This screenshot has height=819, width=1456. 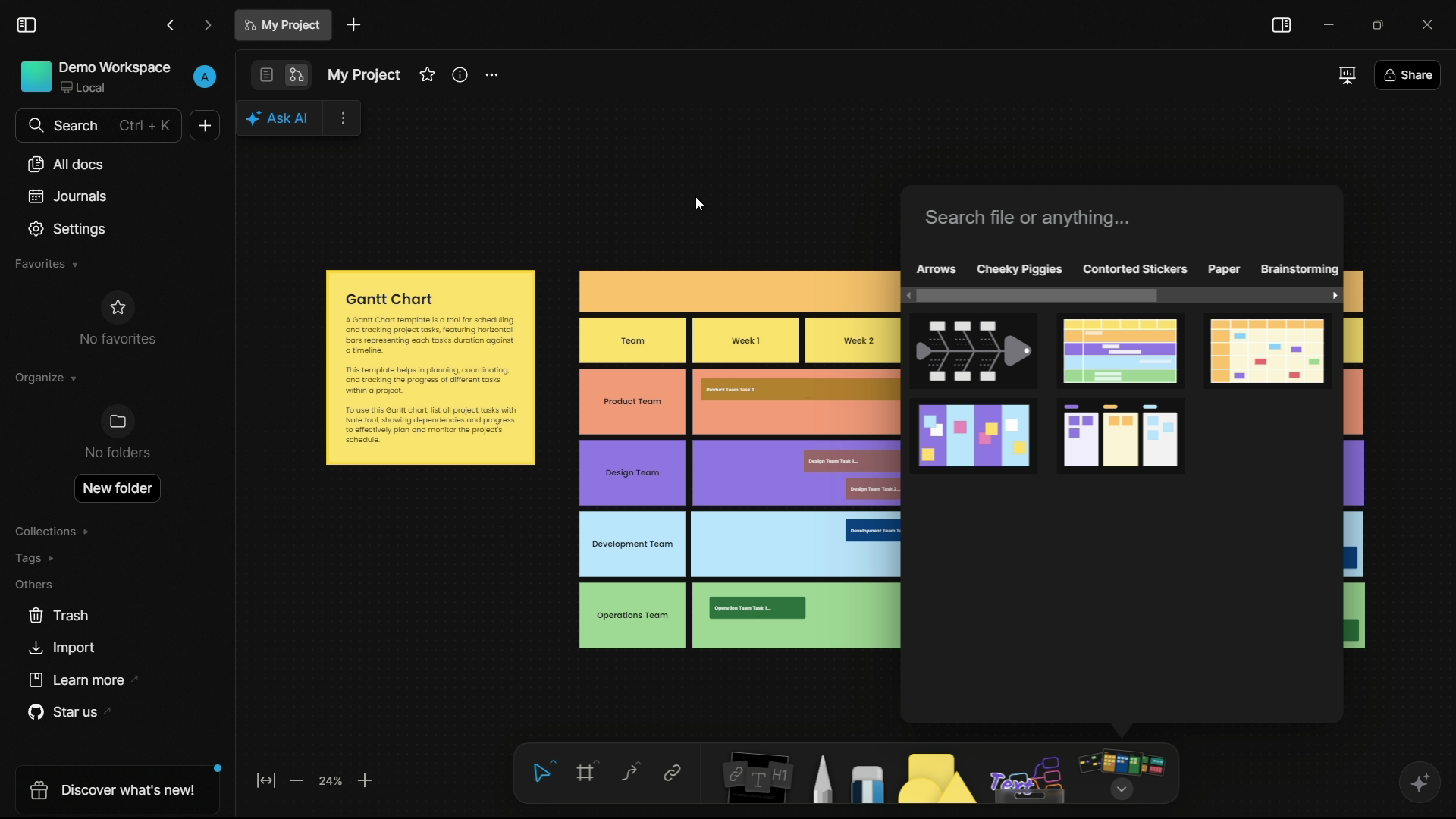 What do you see at coordinates (353, 24) in the screenshot?
I see `add document` at bounding box center [353, 24].